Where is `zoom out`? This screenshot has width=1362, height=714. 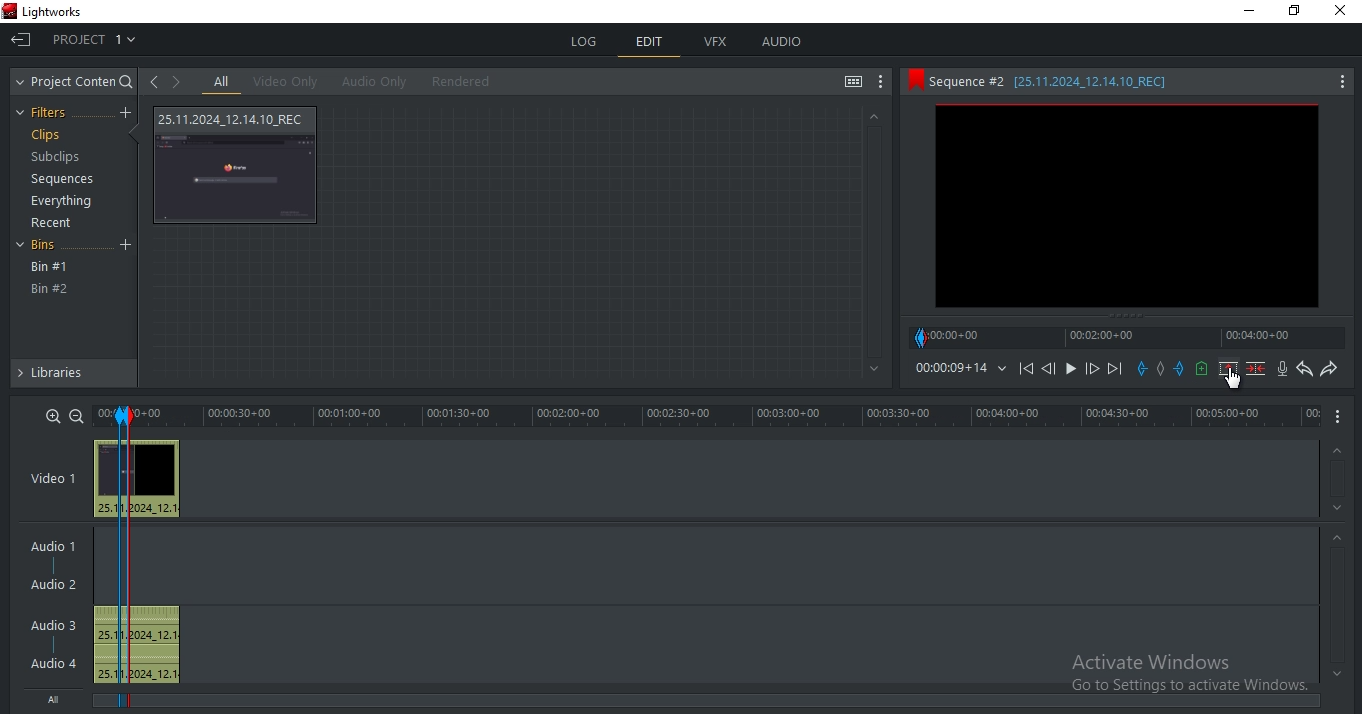
zoom out is located at coordinates (76, 415).